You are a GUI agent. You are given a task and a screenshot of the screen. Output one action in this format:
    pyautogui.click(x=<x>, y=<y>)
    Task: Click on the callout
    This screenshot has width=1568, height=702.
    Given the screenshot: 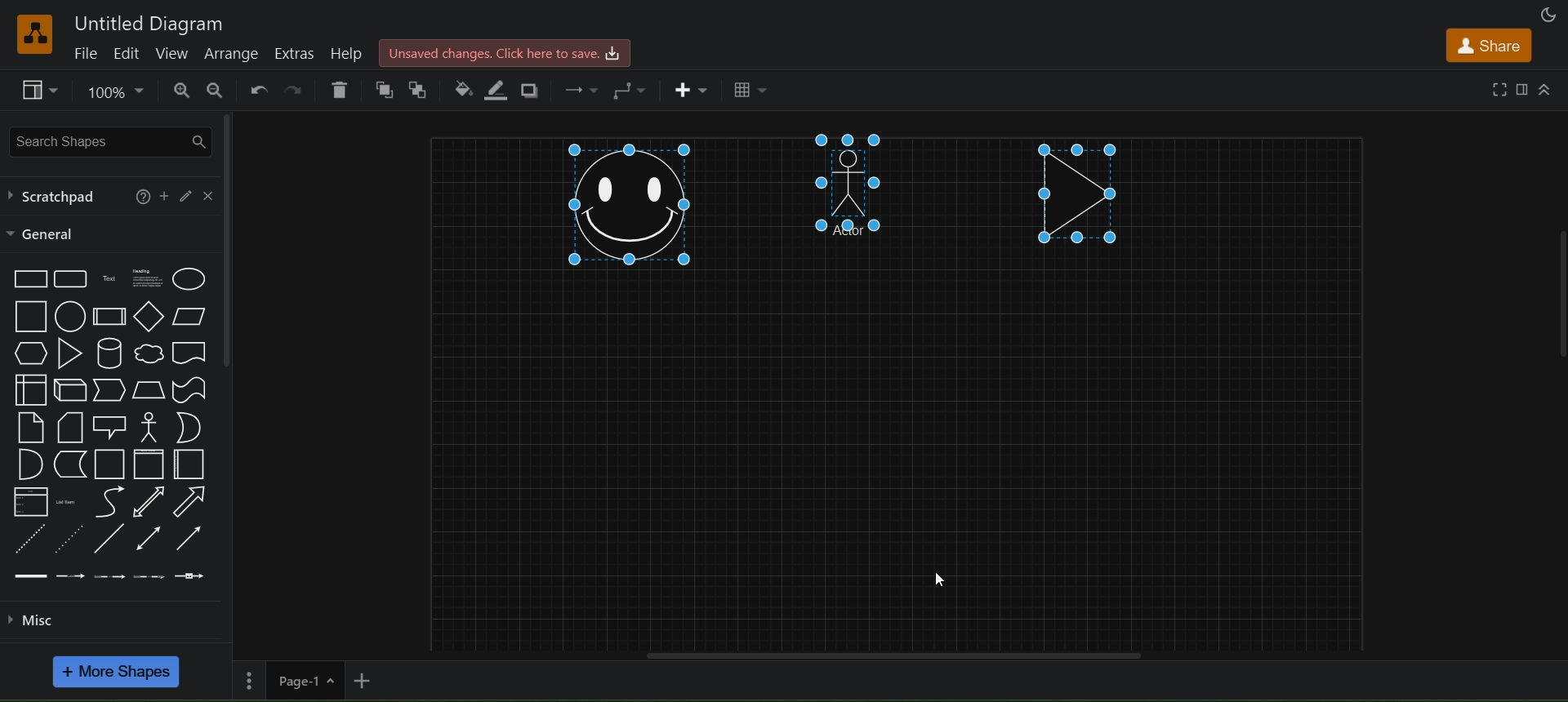 What is the action you would take?
    pyautogui.click(x=109, y=426)
    